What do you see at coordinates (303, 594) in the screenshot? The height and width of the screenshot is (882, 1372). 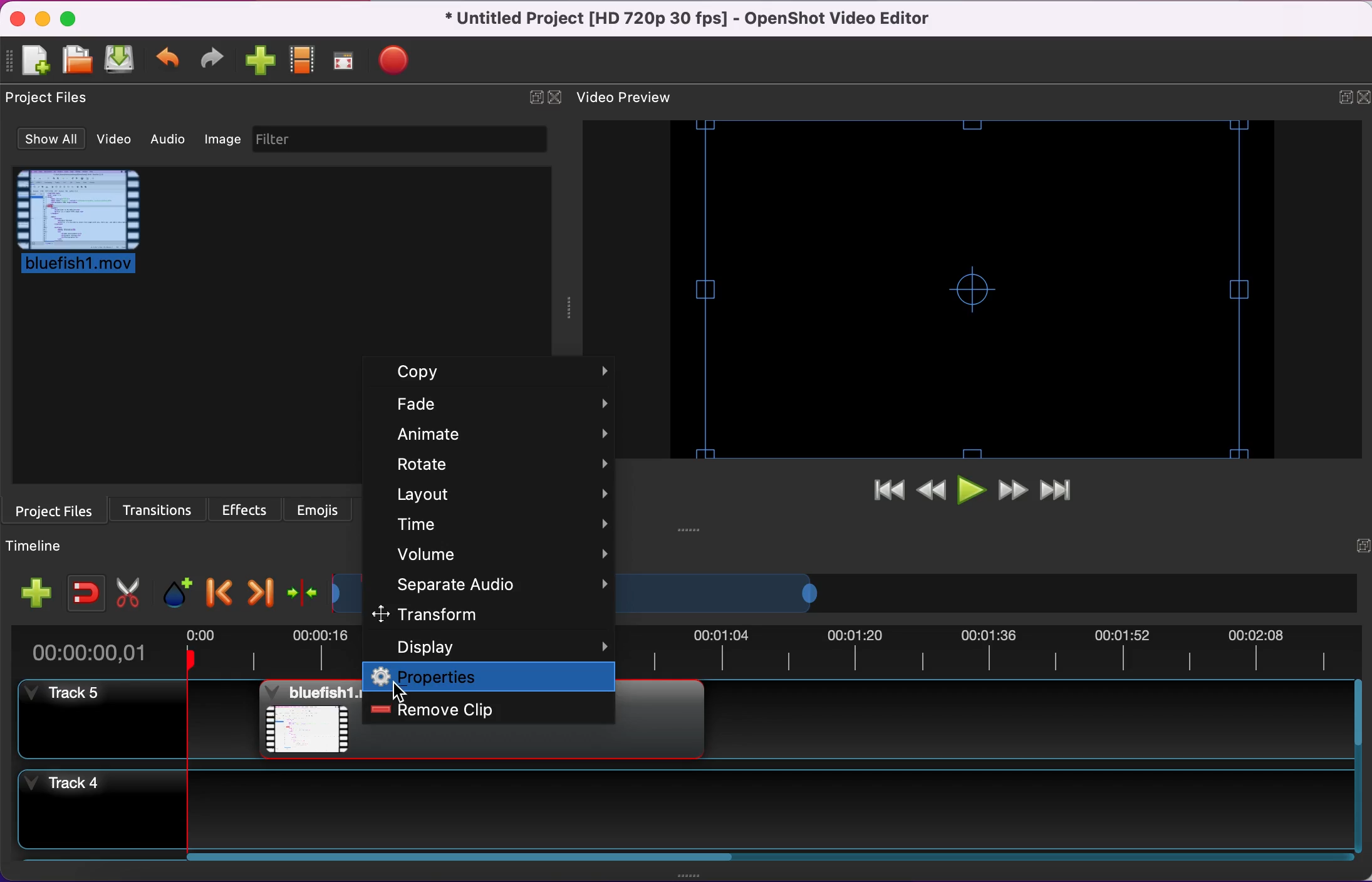 I see `center the timeline` at bounding box center [303, 594].